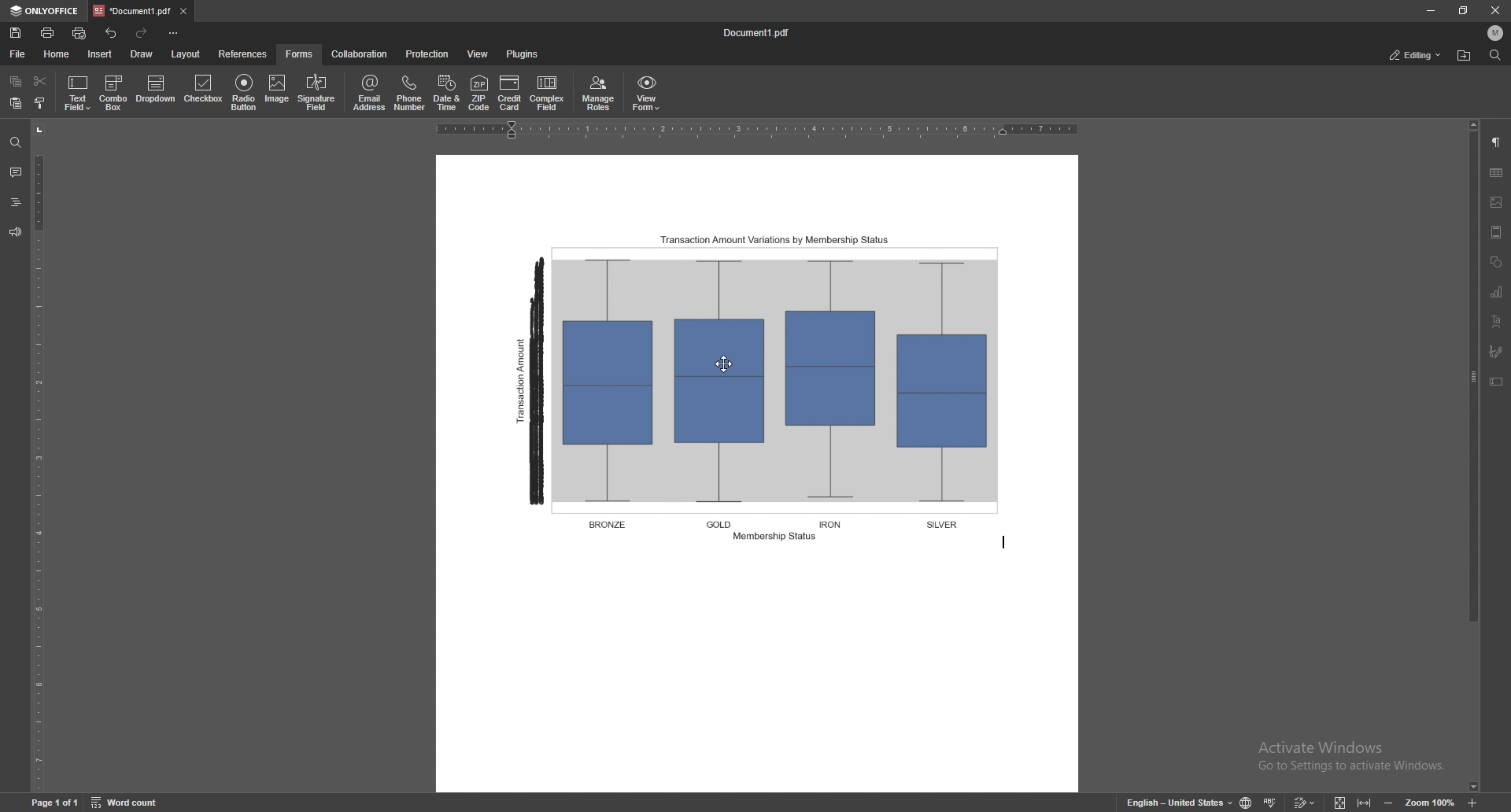 The image size is (1511, 812). I want to click on save, so click(17, 33).